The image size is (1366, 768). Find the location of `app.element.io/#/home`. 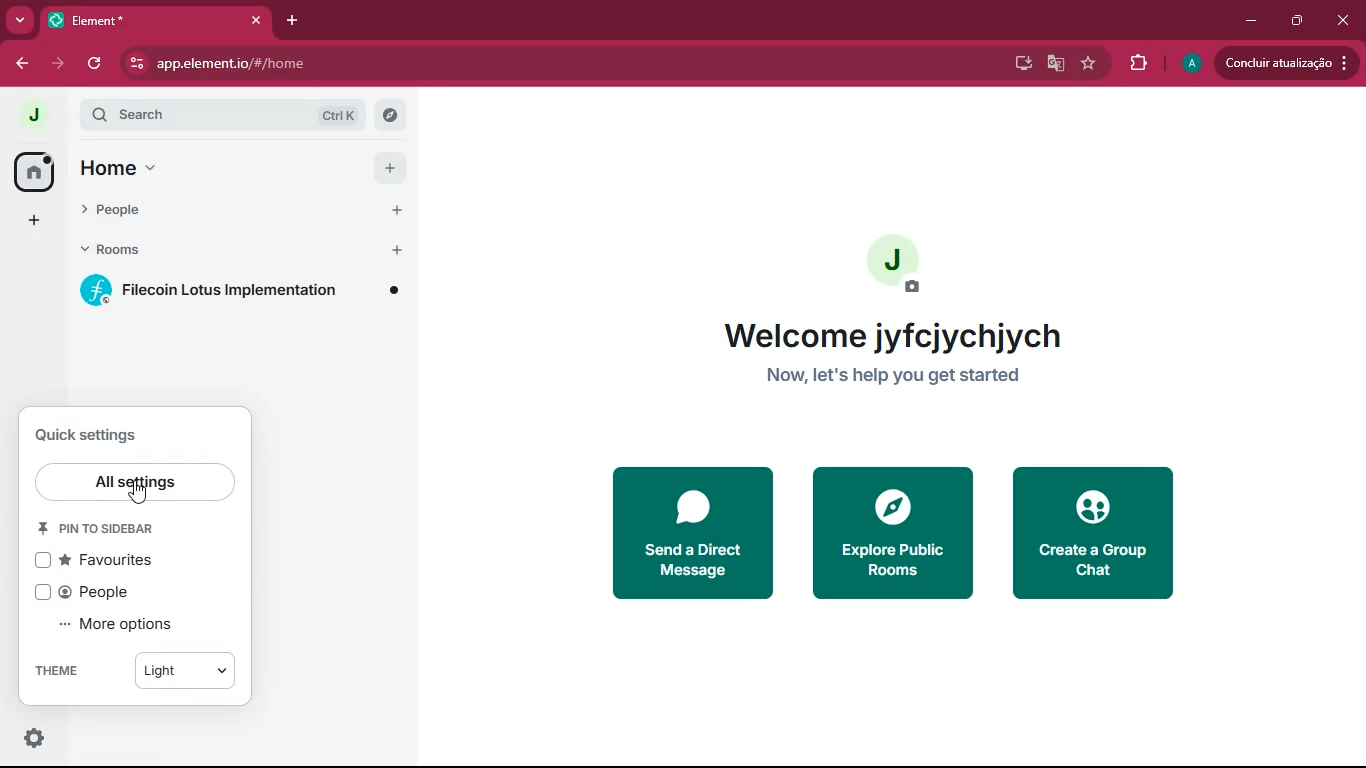

app.element.io/#/home is located at coordinates (351, 63).